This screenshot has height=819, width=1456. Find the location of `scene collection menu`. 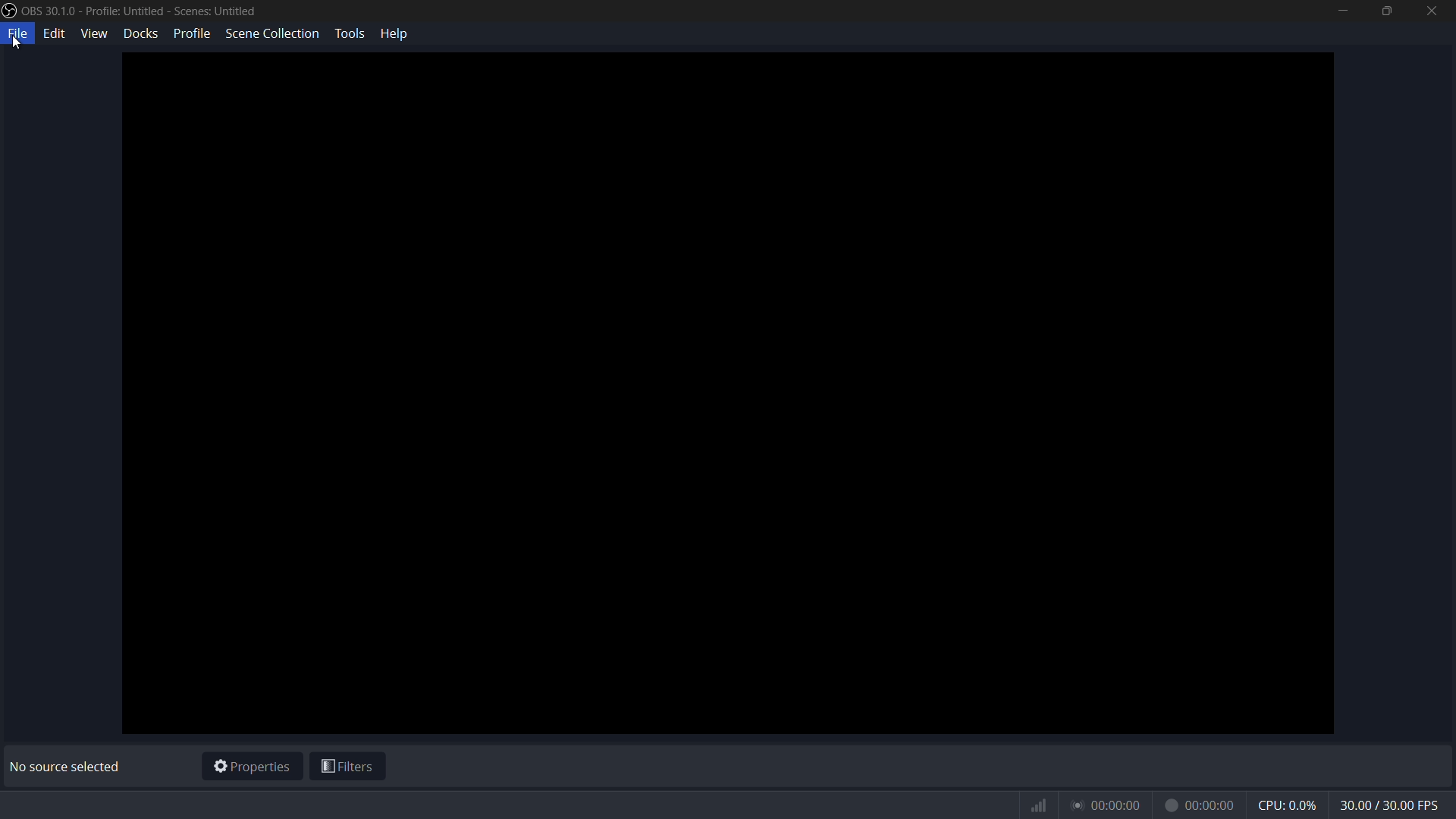

scene collection menu is located at coordinates (271, 33).